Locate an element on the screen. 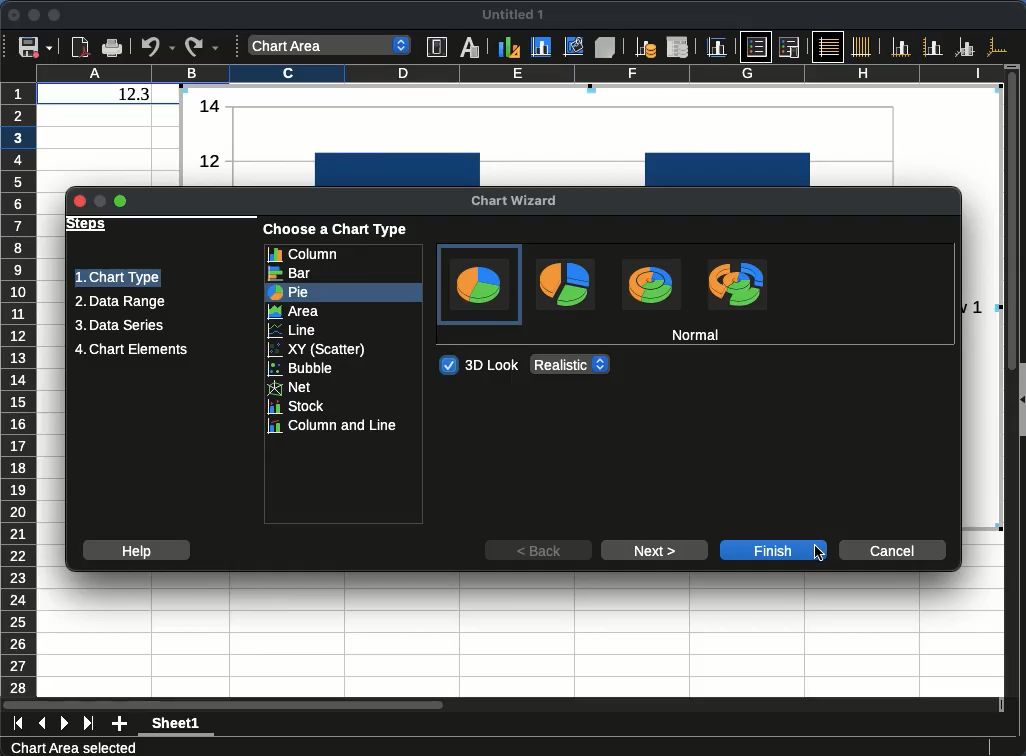 This screenshot has height=756, width=1026. add is located at coordinates (120, 724).